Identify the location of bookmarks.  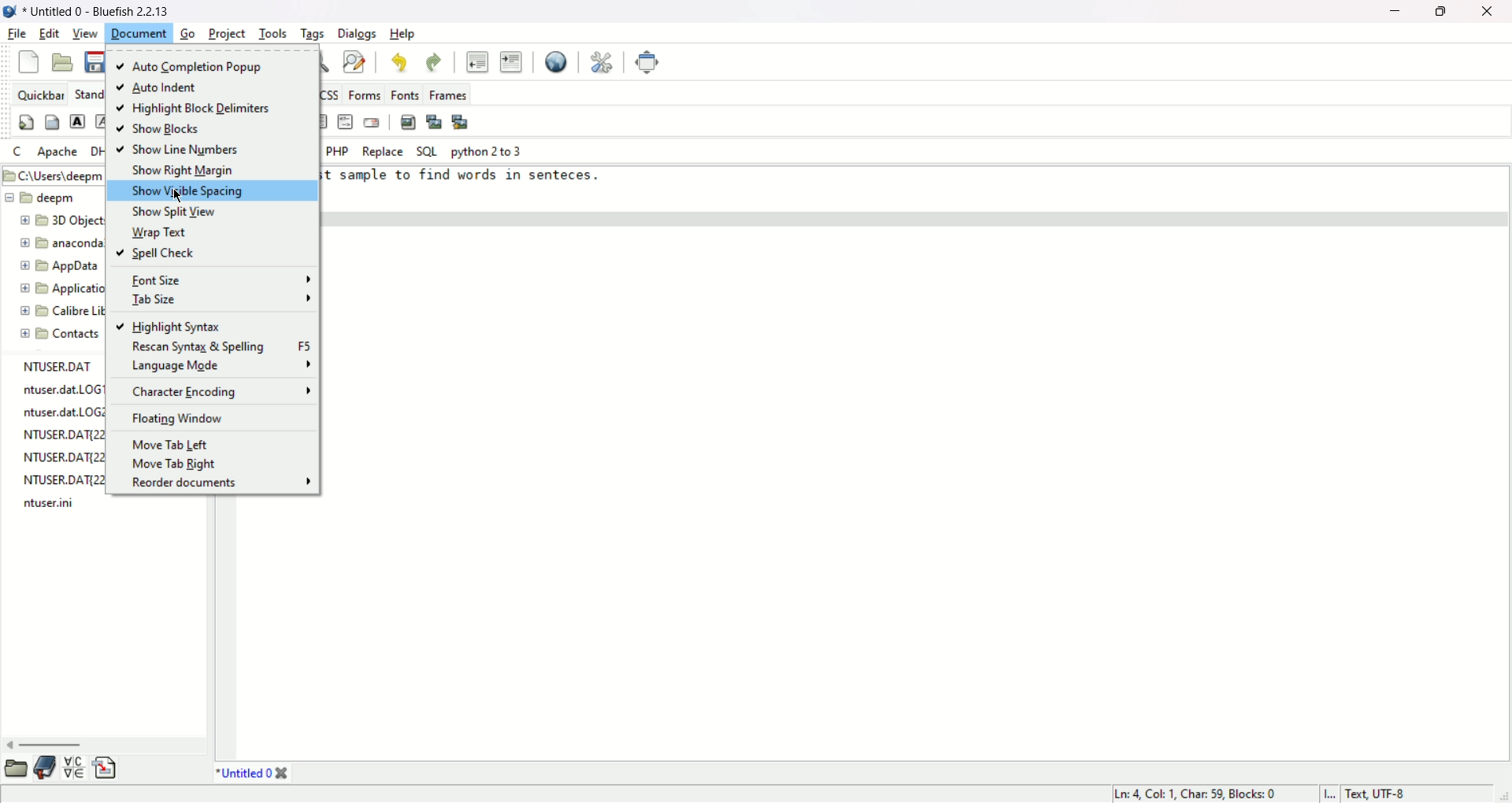
(45, 769).